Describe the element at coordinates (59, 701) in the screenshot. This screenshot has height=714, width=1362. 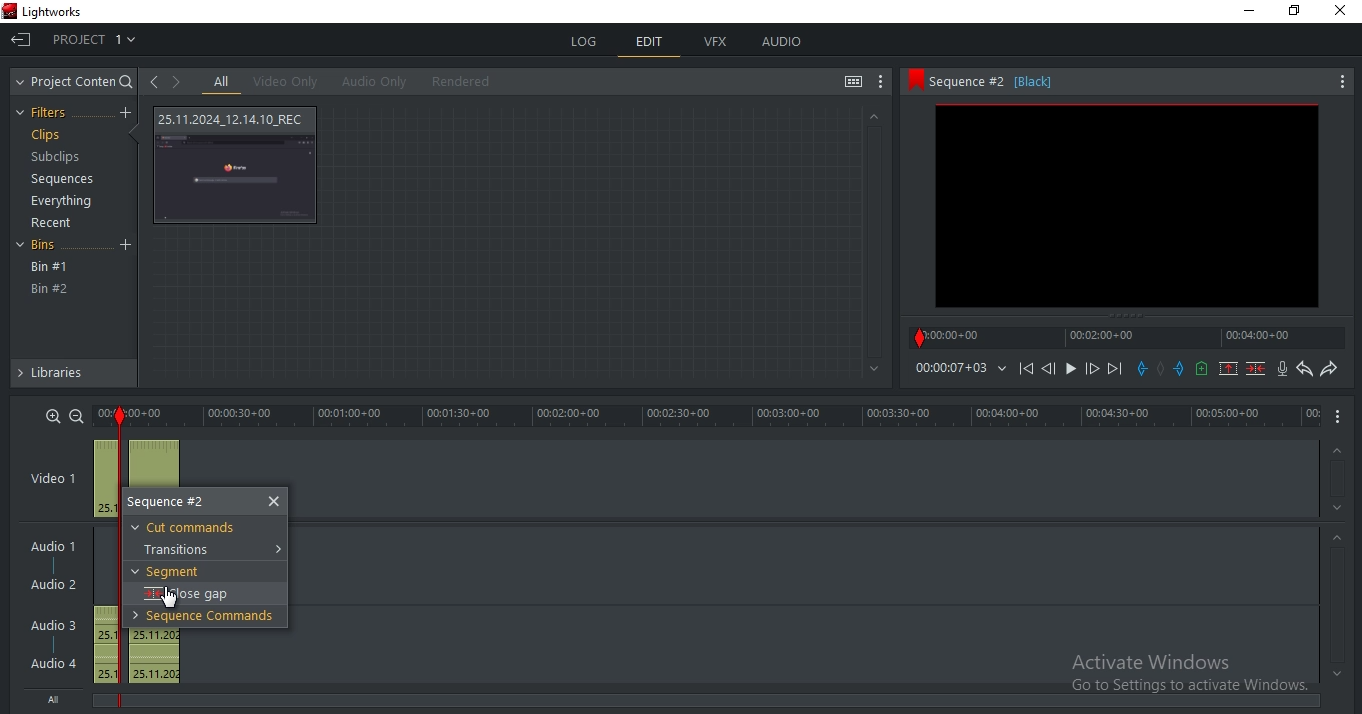
I see `All` at that location.